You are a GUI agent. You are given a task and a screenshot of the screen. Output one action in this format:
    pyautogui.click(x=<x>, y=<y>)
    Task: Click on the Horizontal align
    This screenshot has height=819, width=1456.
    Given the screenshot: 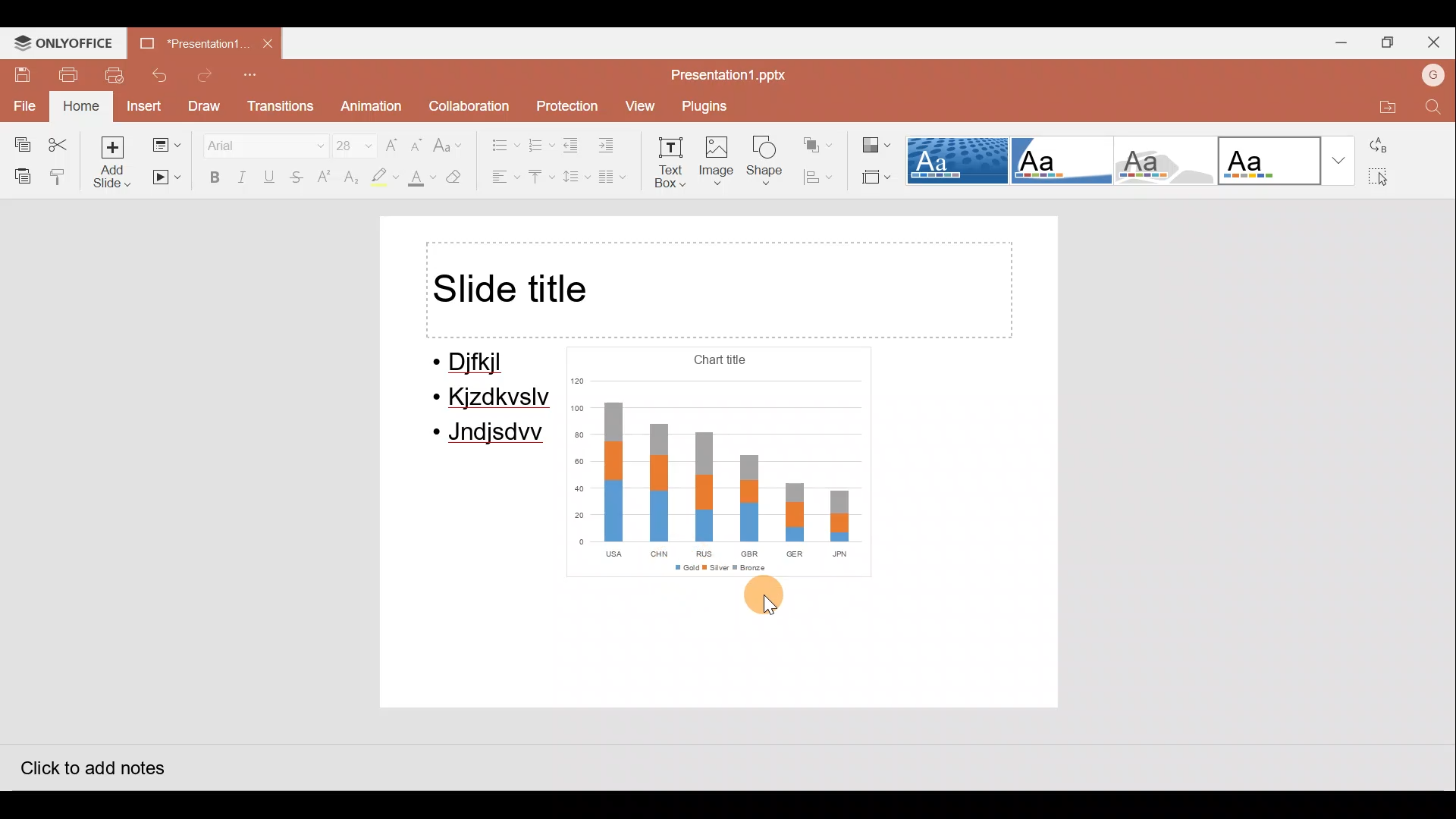 What is the action you would take?
    pyautogui.click(x=501, y=178)
    